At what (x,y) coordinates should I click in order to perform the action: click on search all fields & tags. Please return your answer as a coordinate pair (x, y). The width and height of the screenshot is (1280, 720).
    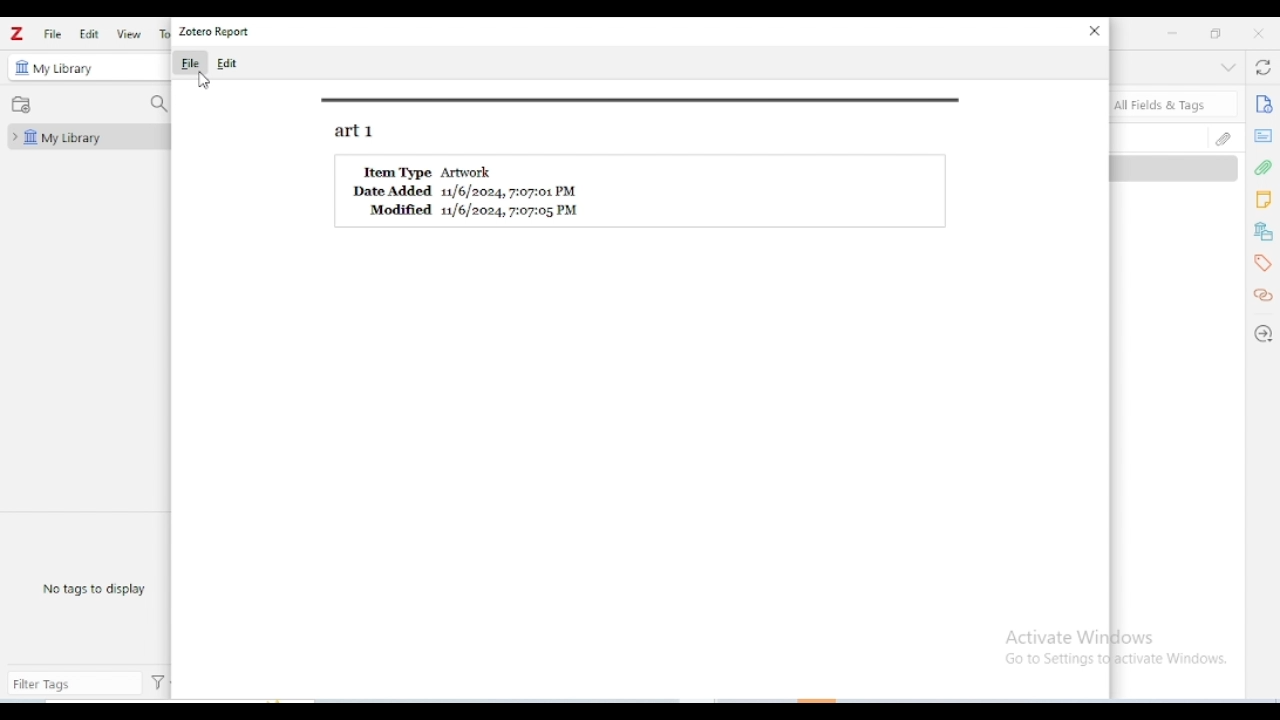
    Looking at the image, I should click on (1175, 104).